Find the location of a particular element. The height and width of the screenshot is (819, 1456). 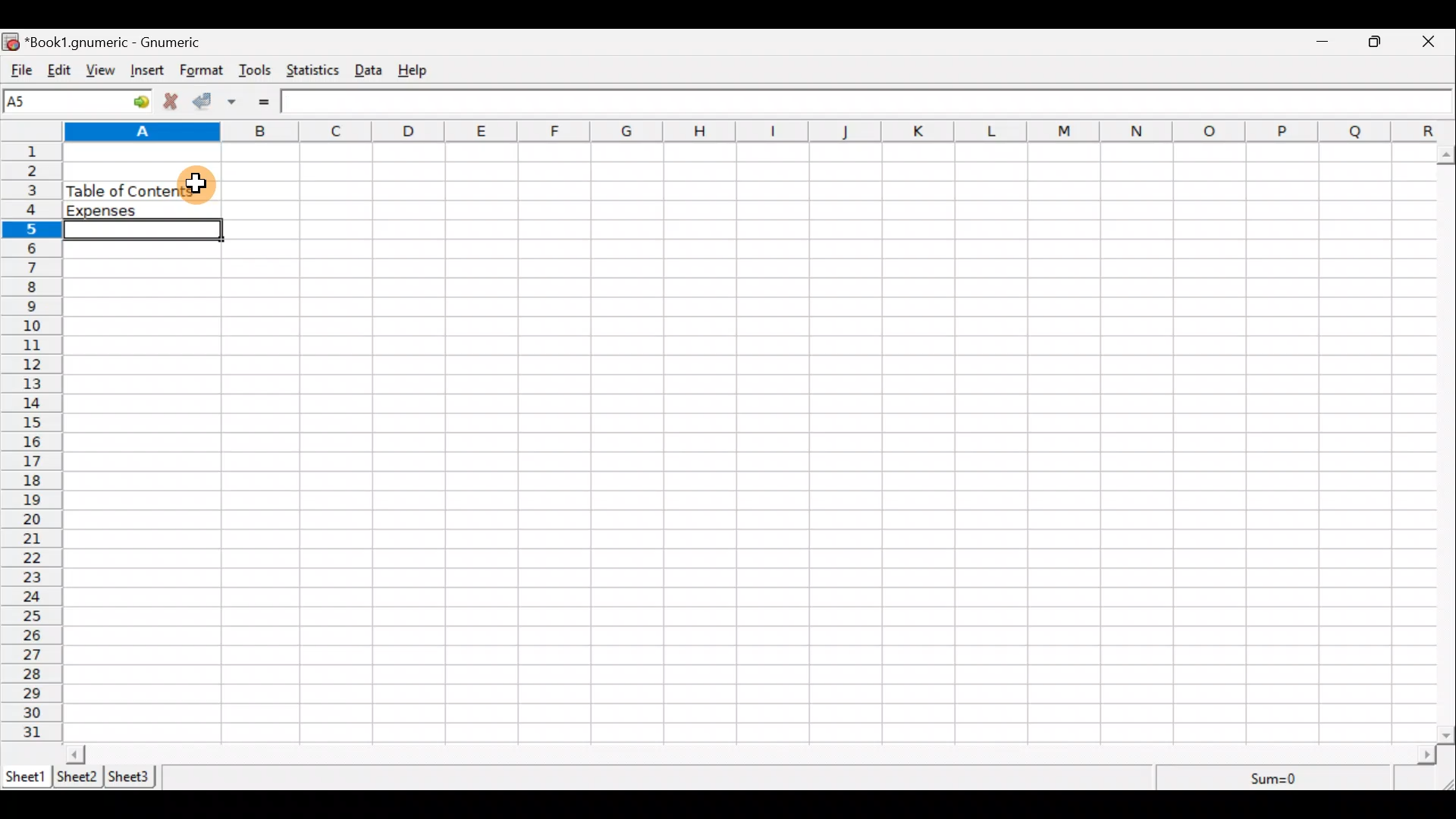

numbering column is located at coordinates (30, 444).